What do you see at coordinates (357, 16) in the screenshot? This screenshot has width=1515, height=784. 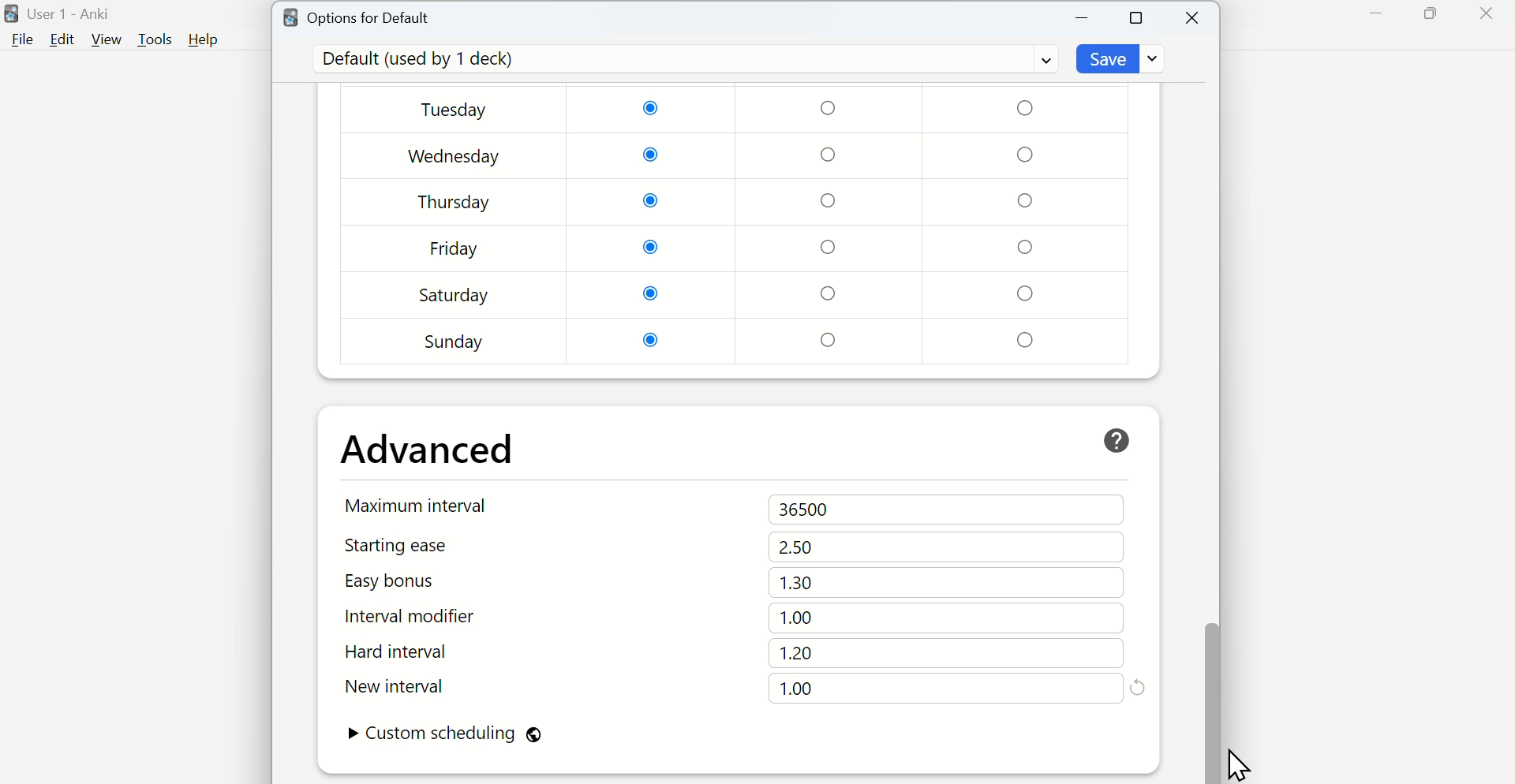 I see `Options for Default` at bounding box center [357, 16].